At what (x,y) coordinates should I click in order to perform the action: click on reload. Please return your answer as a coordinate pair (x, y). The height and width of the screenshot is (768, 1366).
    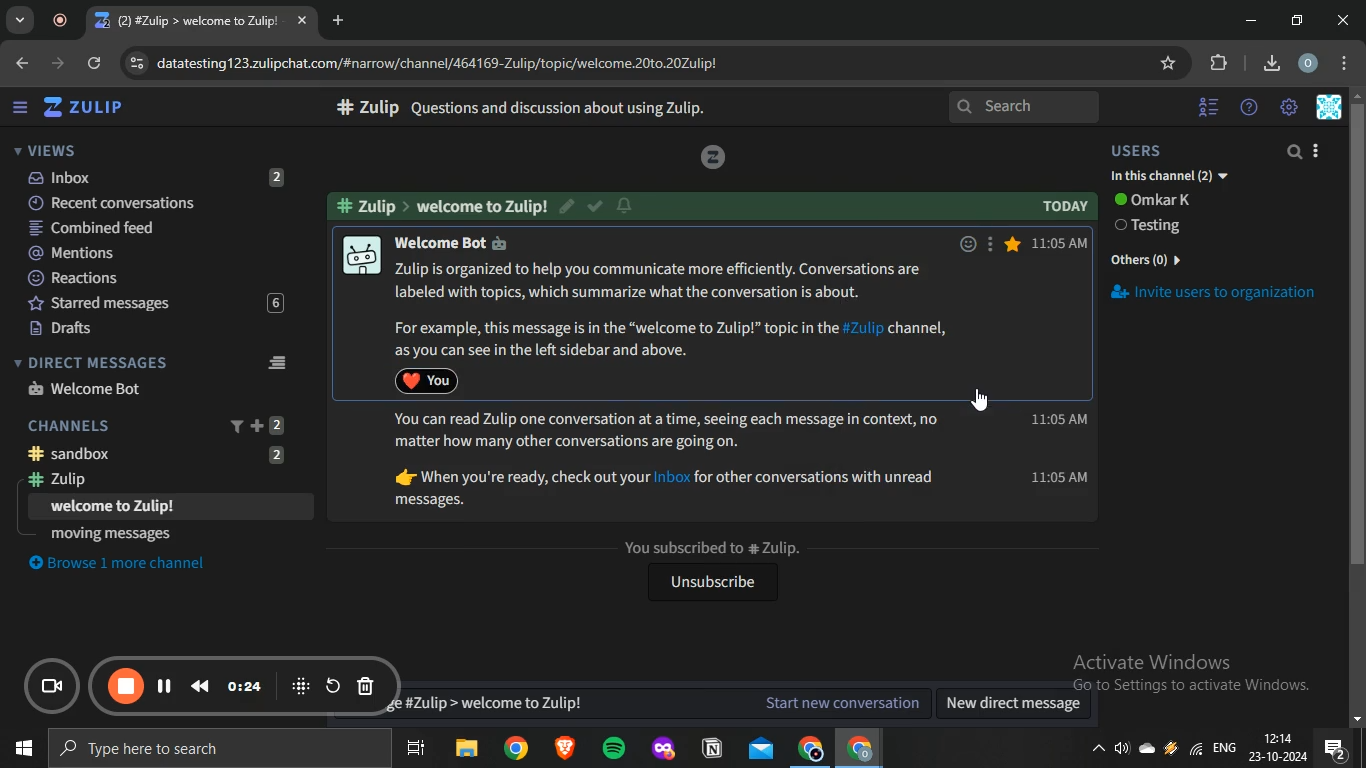
    Looking at the image, I should click on (96, 65).